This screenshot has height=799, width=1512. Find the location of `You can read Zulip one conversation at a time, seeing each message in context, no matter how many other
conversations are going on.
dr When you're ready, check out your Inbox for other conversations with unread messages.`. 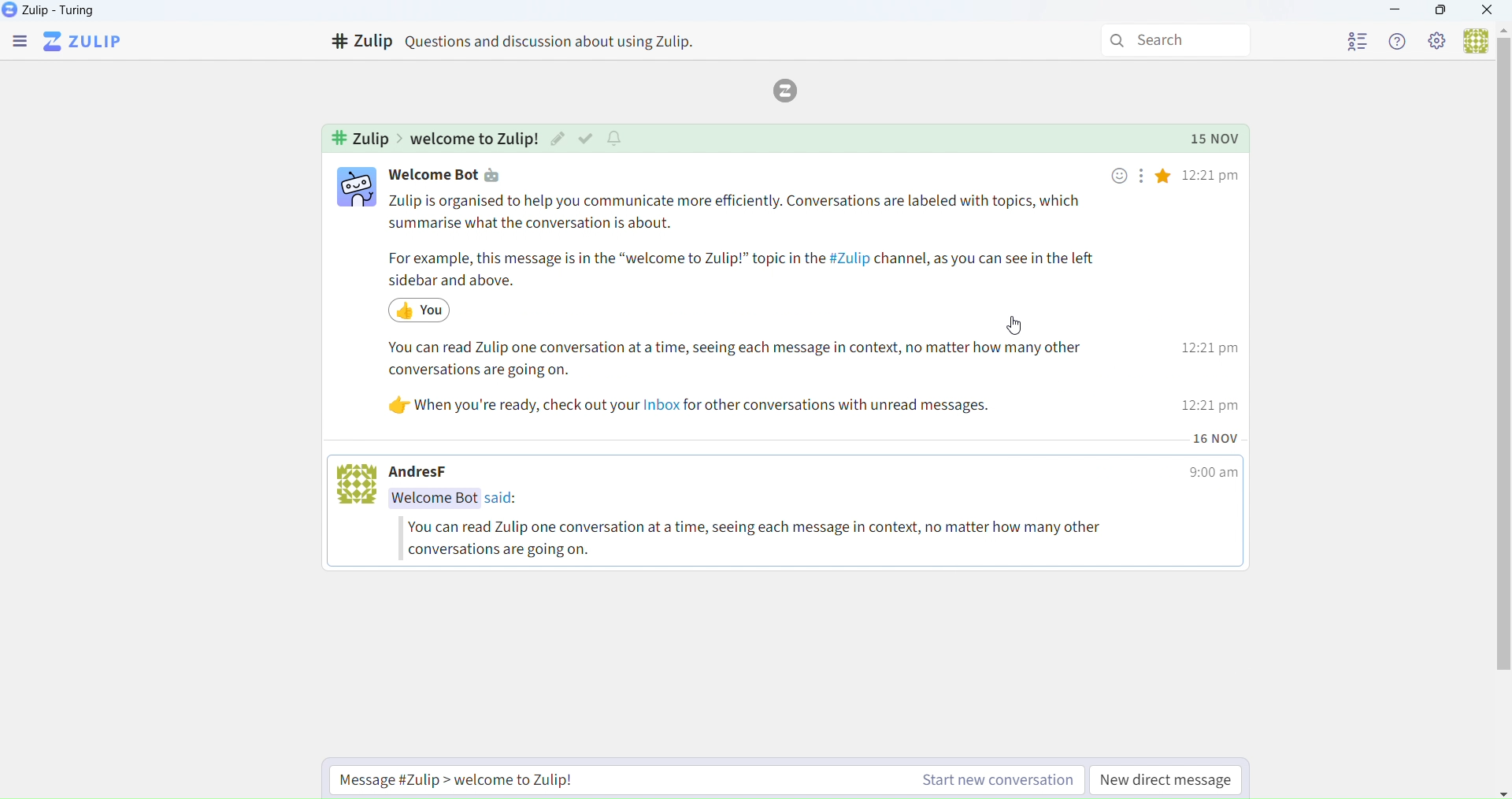

You can read Zulip one conversation at a time, seeing each message in context, no matter how many other
conversations are going on.
dr When you're ready, check out your Inbox for other conversations with unread messages. is located at coordinates (732, 382).